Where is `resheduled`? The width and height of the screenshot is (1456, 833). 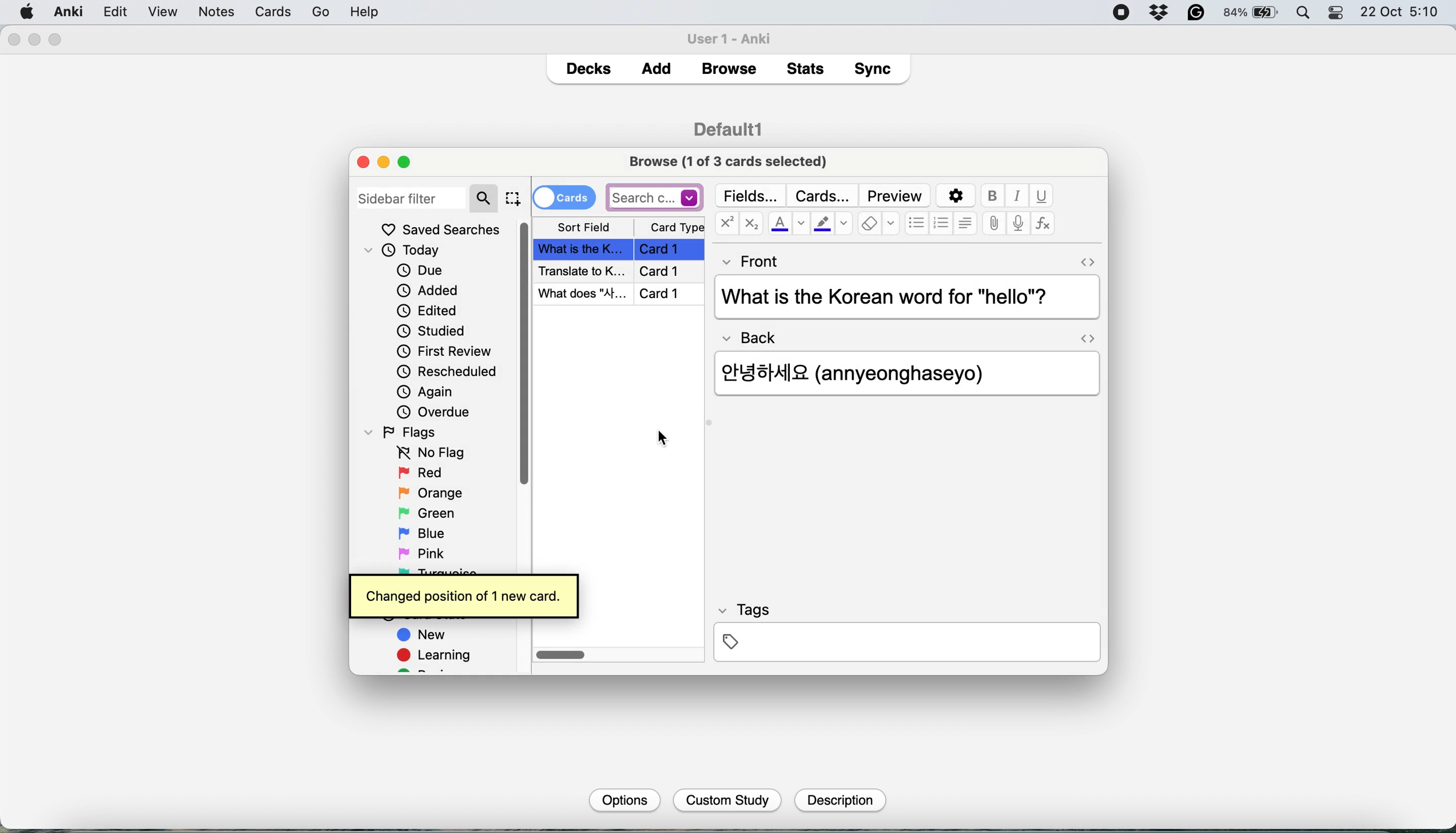 resheduled is located at coordinates (451, 372).